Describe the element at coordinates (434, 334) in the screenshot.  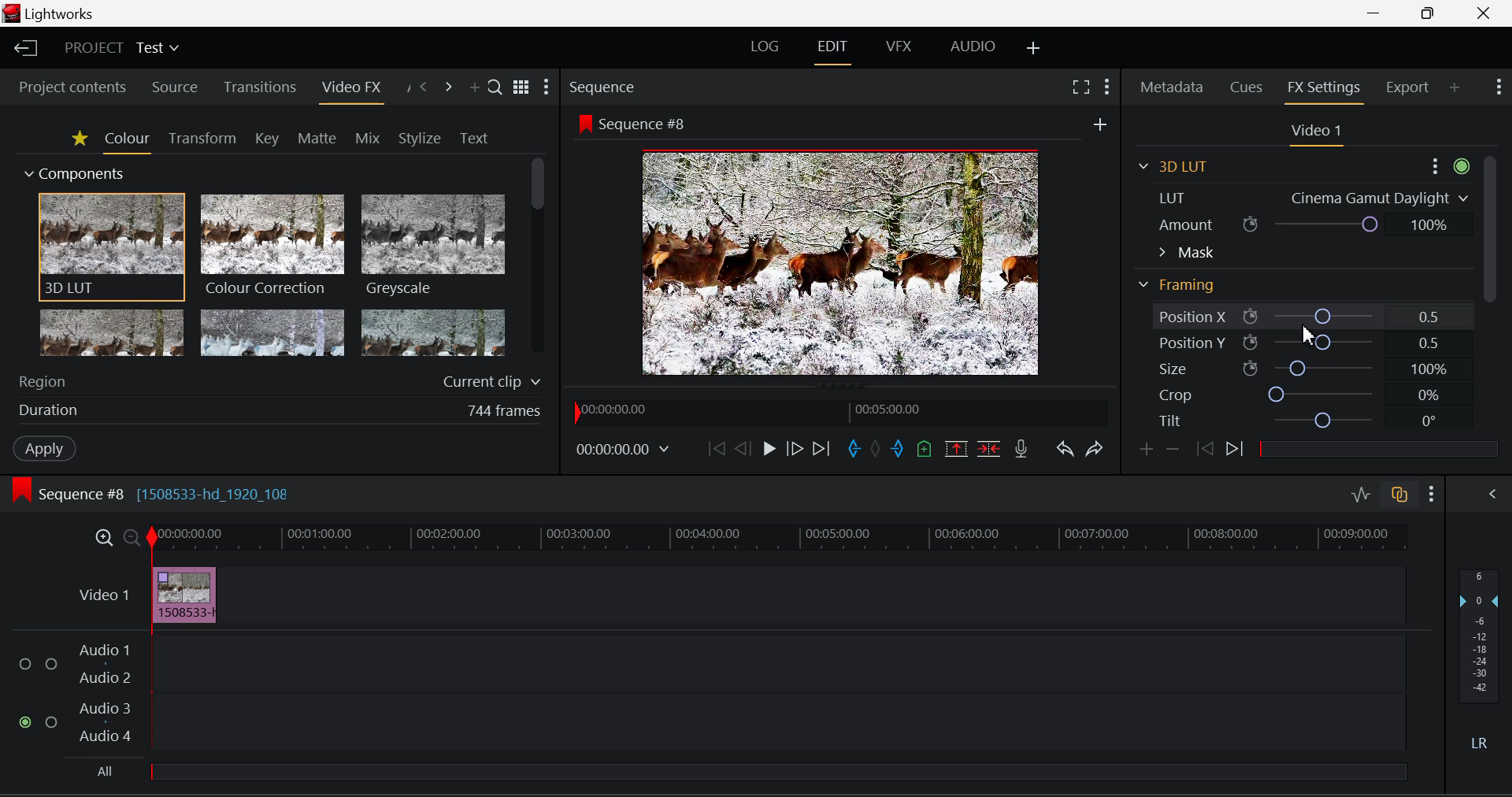
I see `Posterize` at that location.